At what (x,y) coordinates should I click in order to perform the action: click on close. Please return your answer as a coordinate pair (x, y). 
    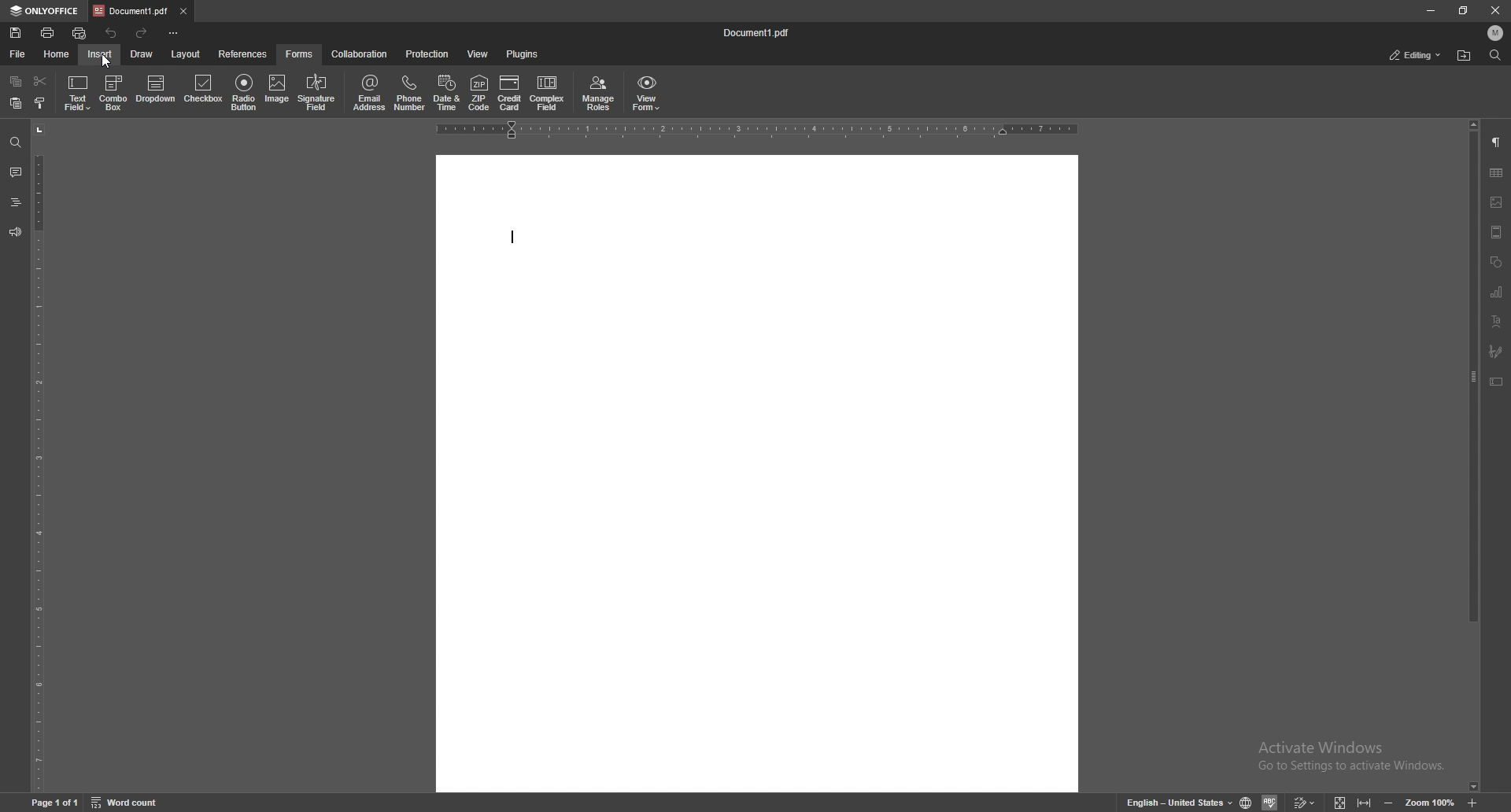
    Looking at the image, I should click on (1496, 9).